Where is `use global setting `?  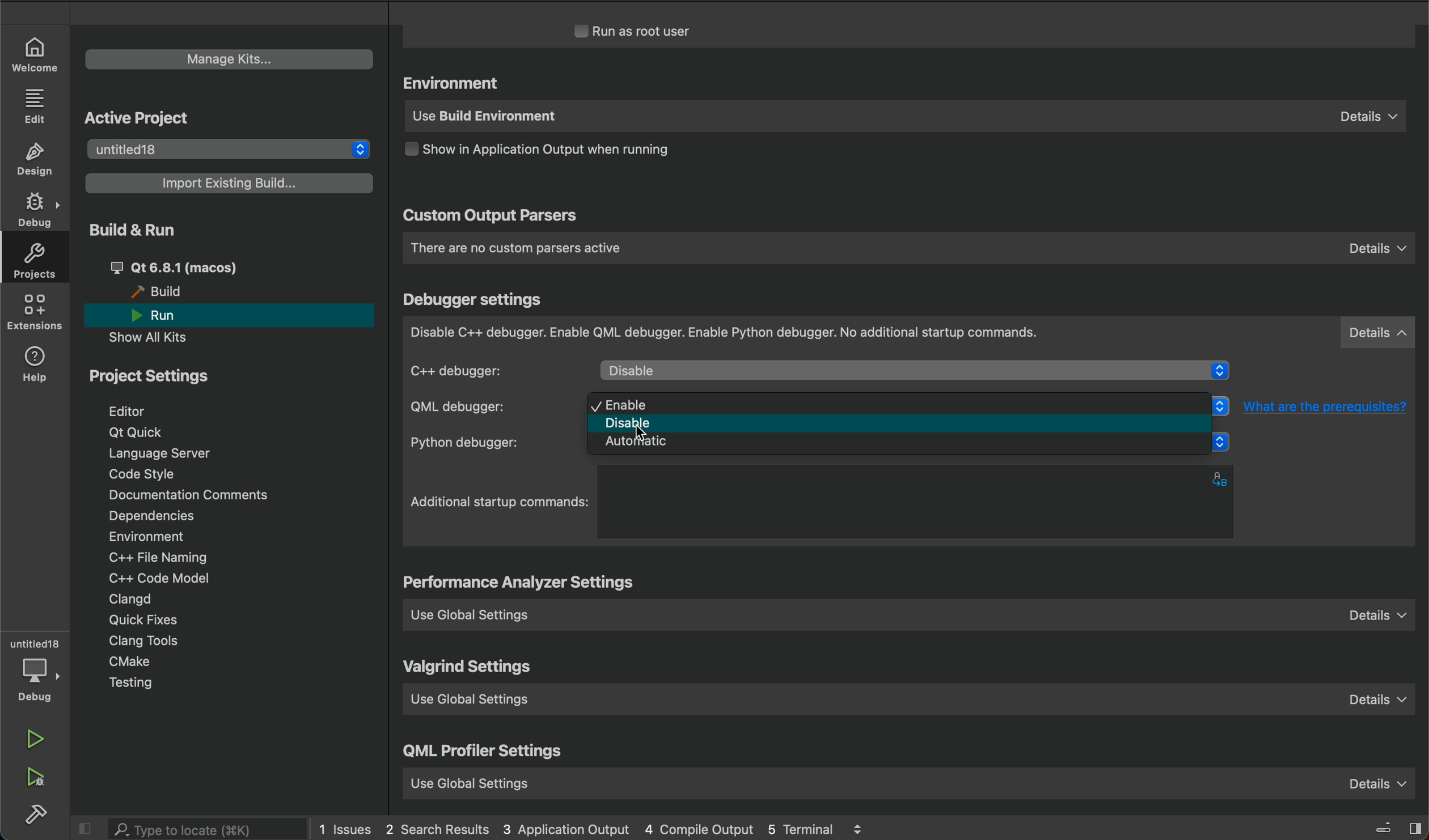 use global setting  is located at coordinates (913, 703).